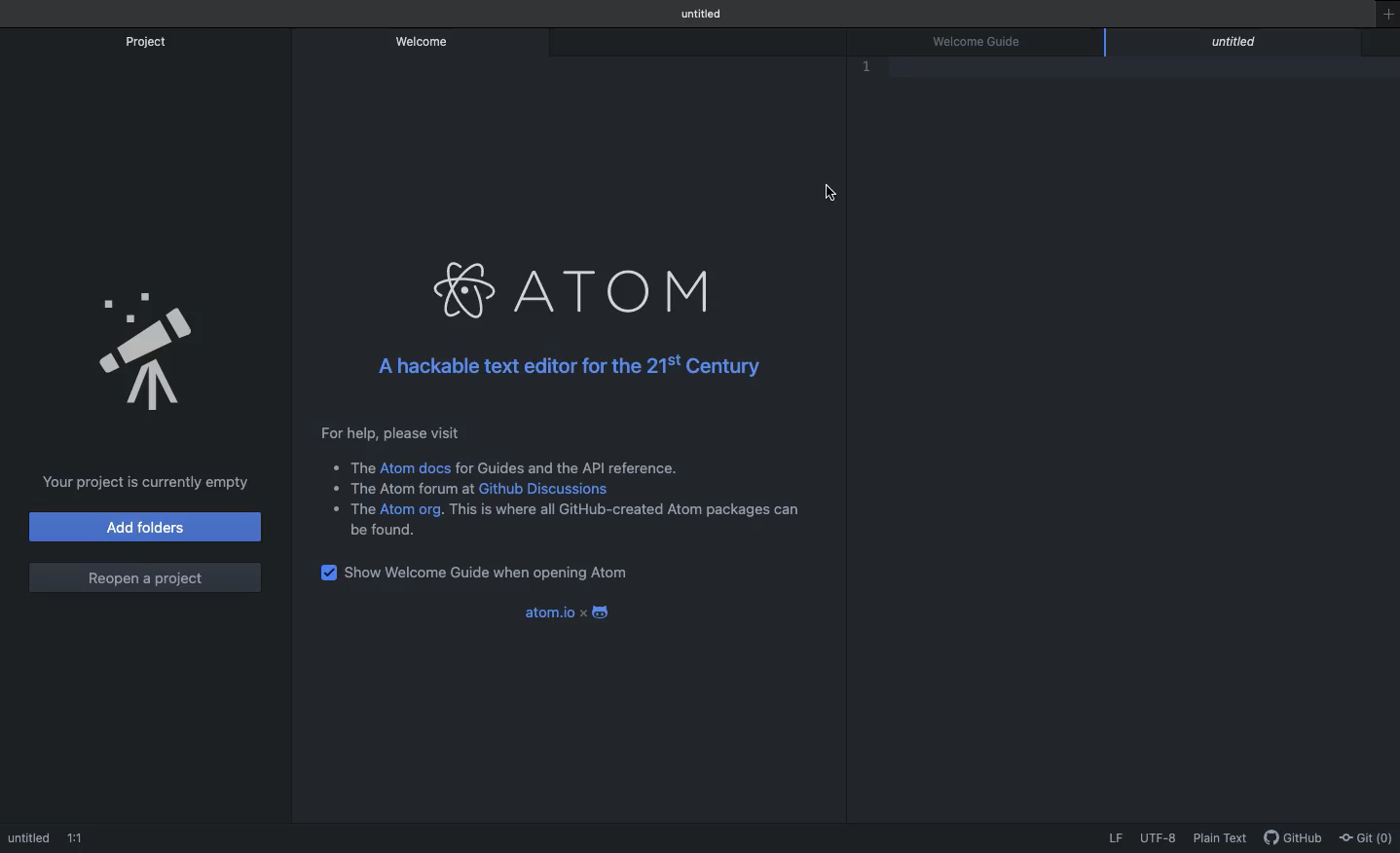 Image resolution: width=1400 pixels, height=853 pixels. What do you see at coordinates (568, 612) in the screenshot?
I see `atom.io x android` at bounding box center [568, 612].